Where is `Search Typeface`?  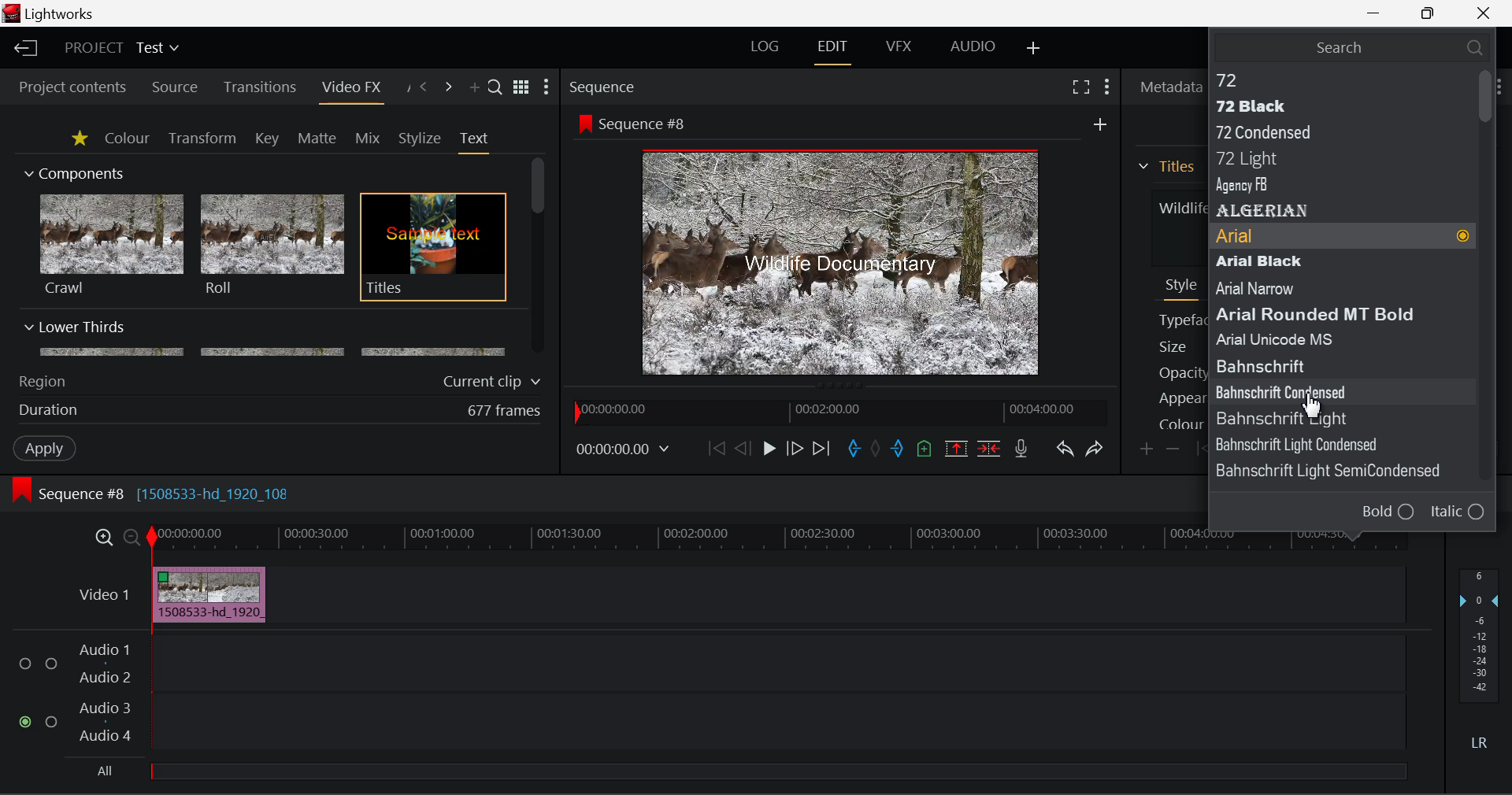 Search Typeface is located at coordinates (1351, 46).